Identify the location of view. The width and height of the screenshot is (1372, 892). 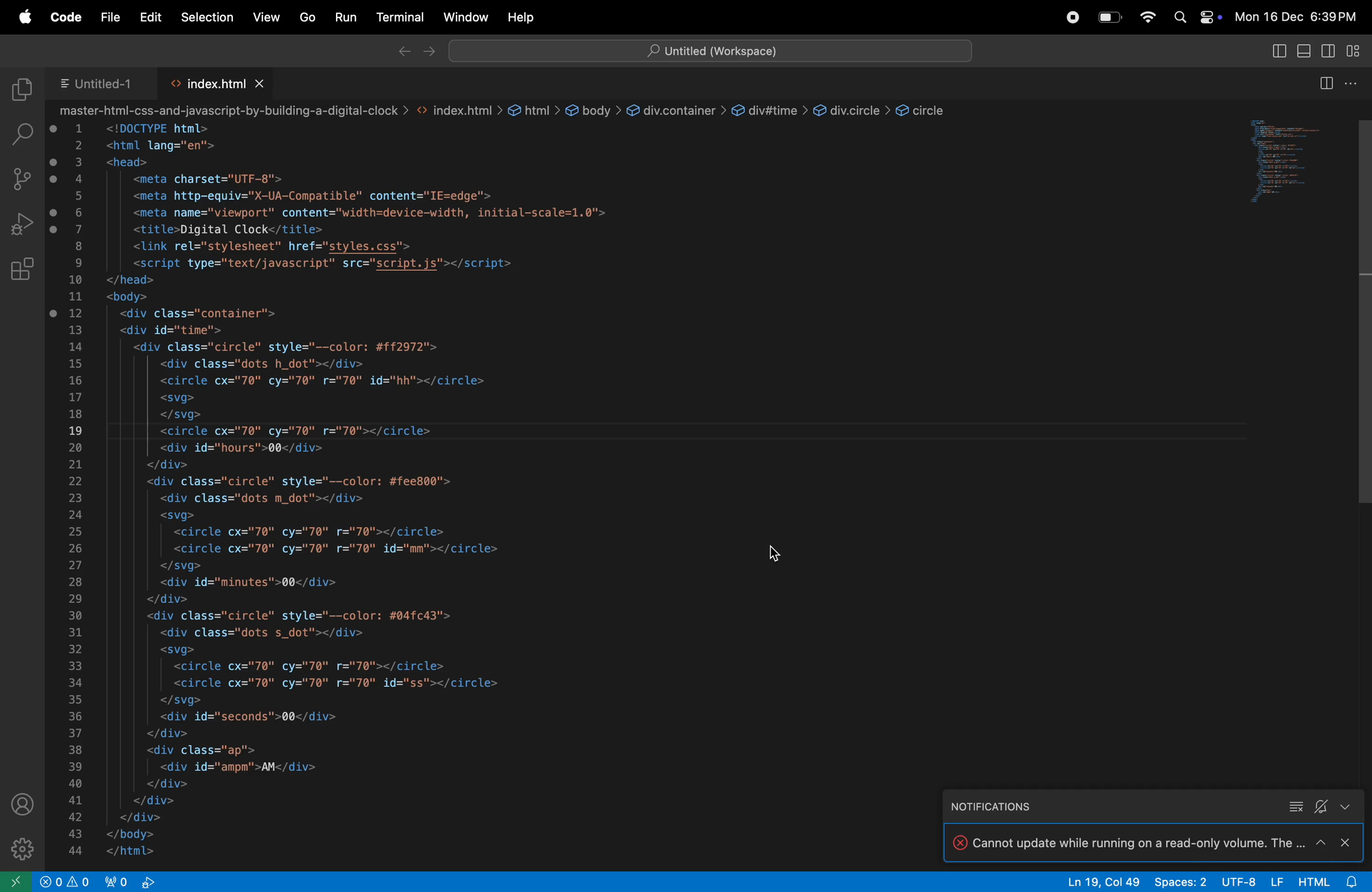
(267, 13).